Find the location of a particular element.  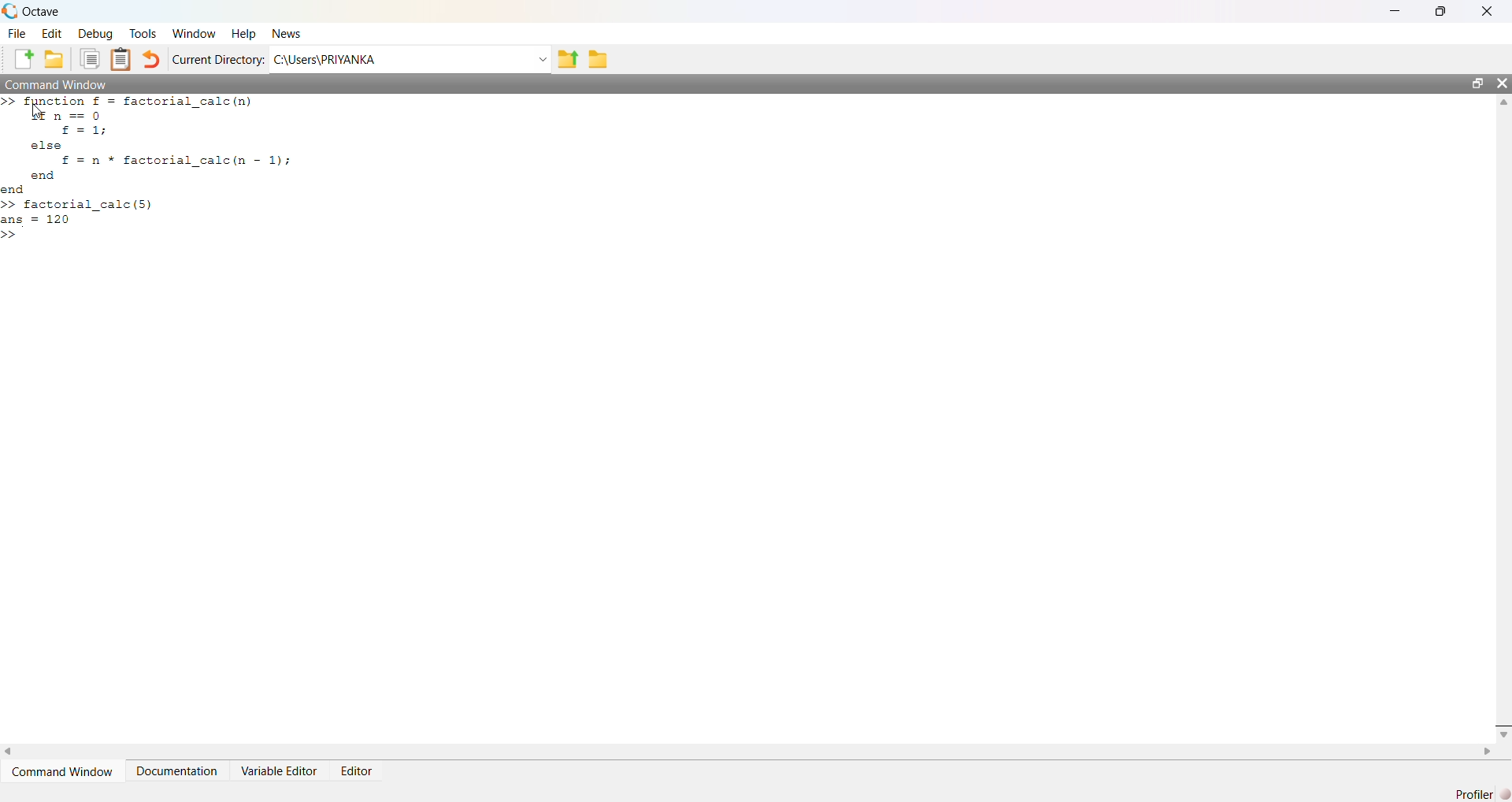

tools is located at coordinates (144, 35).